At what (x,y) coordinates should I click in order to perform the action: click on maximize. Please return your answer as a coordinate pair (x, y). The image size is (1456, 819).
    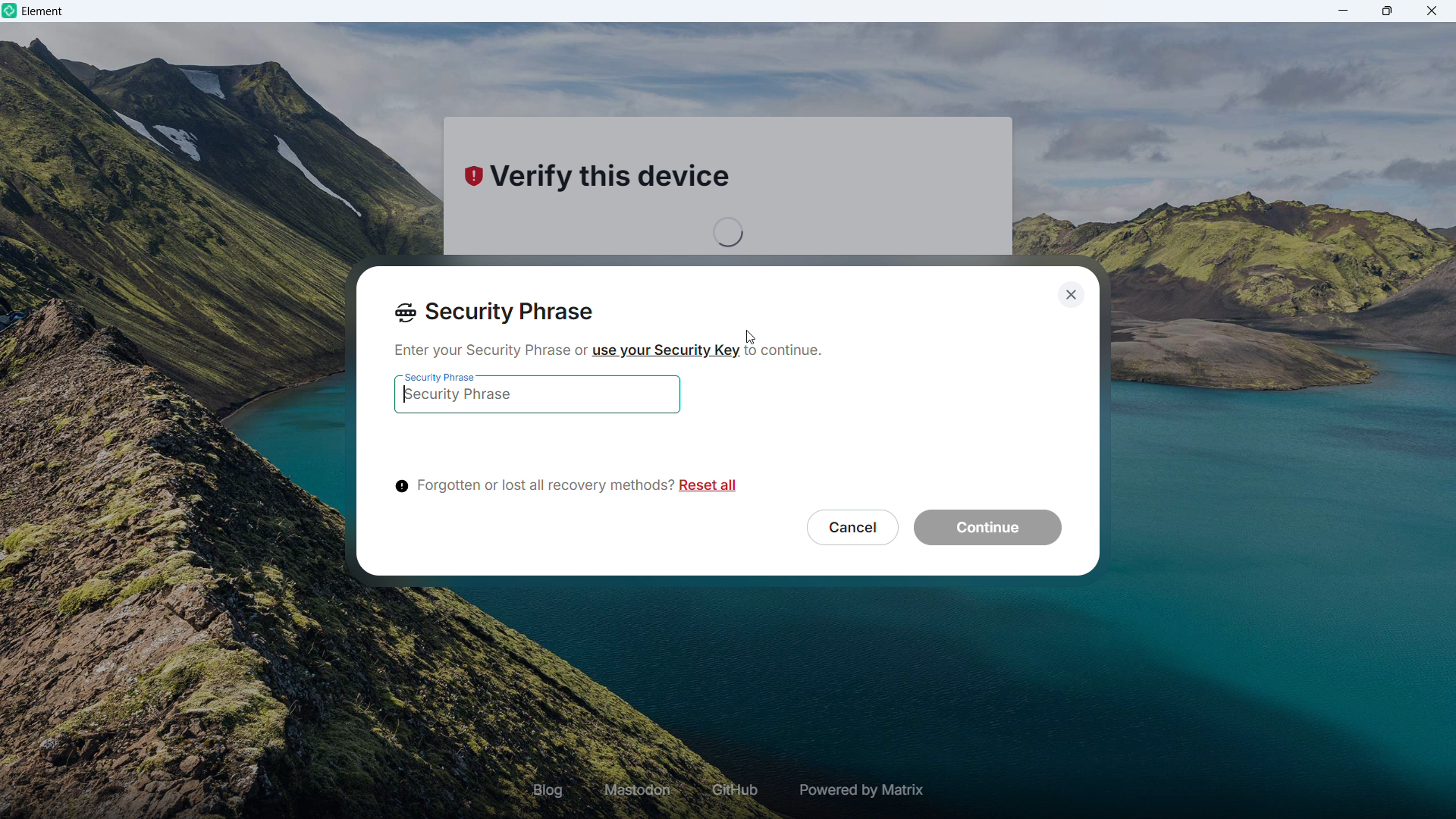
    Looking at the image, I should click on (1388, 11).